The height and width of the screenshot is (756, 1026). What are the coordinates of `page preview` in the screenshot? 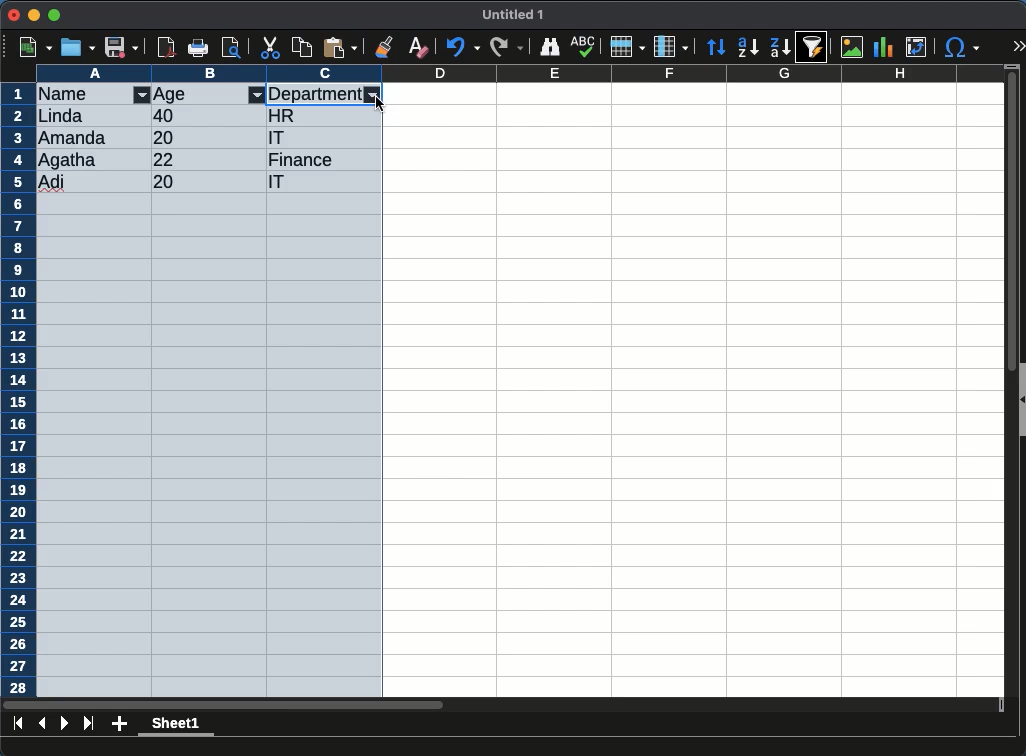 It's located at (235, 47).